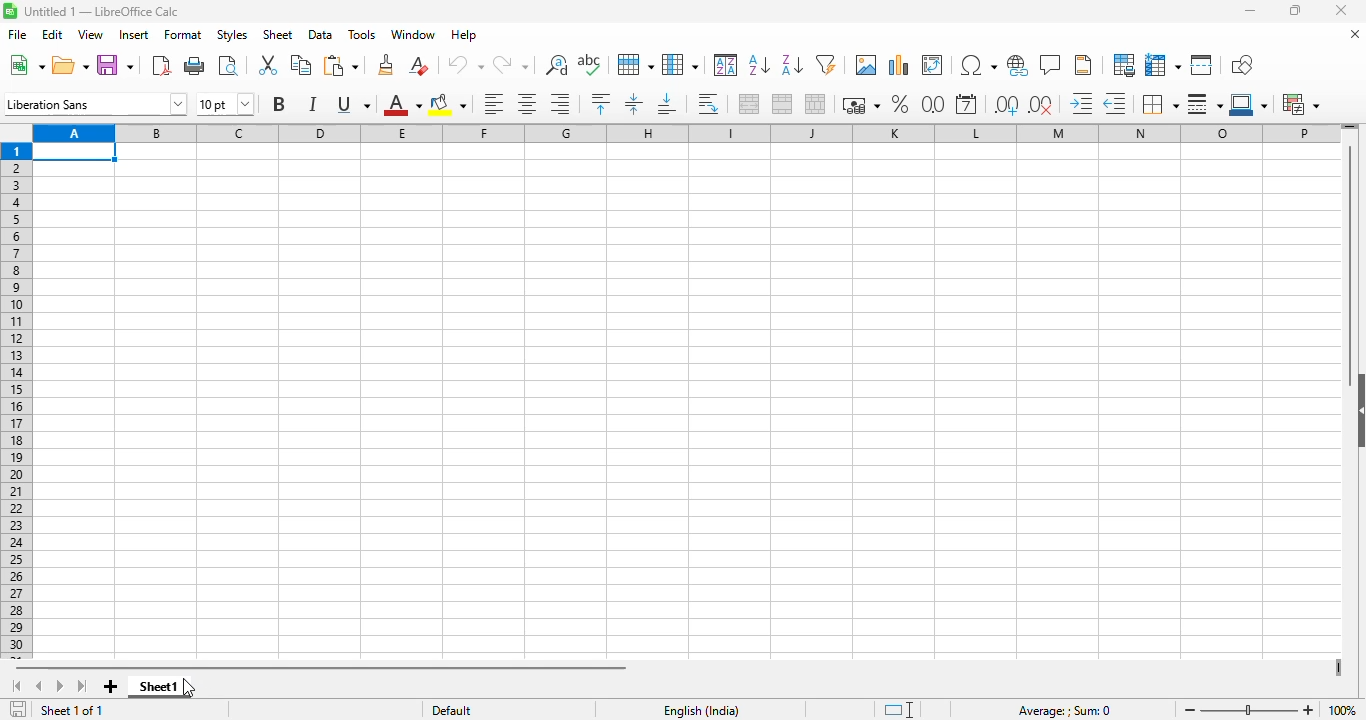  Describe the element at coordinates (195, 66) in the screenshot. I see `print` at that location.